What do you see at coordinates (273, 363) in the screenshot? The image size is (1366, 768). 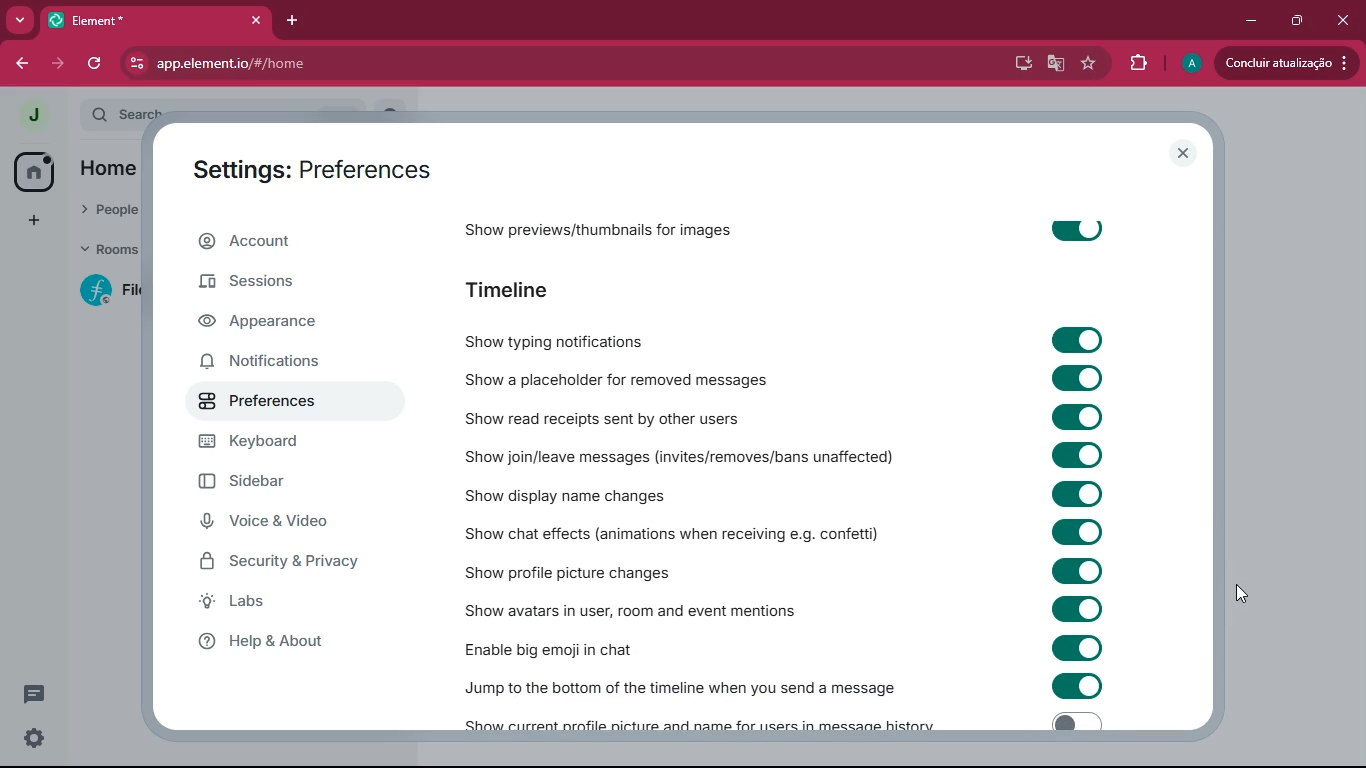 I see `notifications` at bounding box center [273, 363].